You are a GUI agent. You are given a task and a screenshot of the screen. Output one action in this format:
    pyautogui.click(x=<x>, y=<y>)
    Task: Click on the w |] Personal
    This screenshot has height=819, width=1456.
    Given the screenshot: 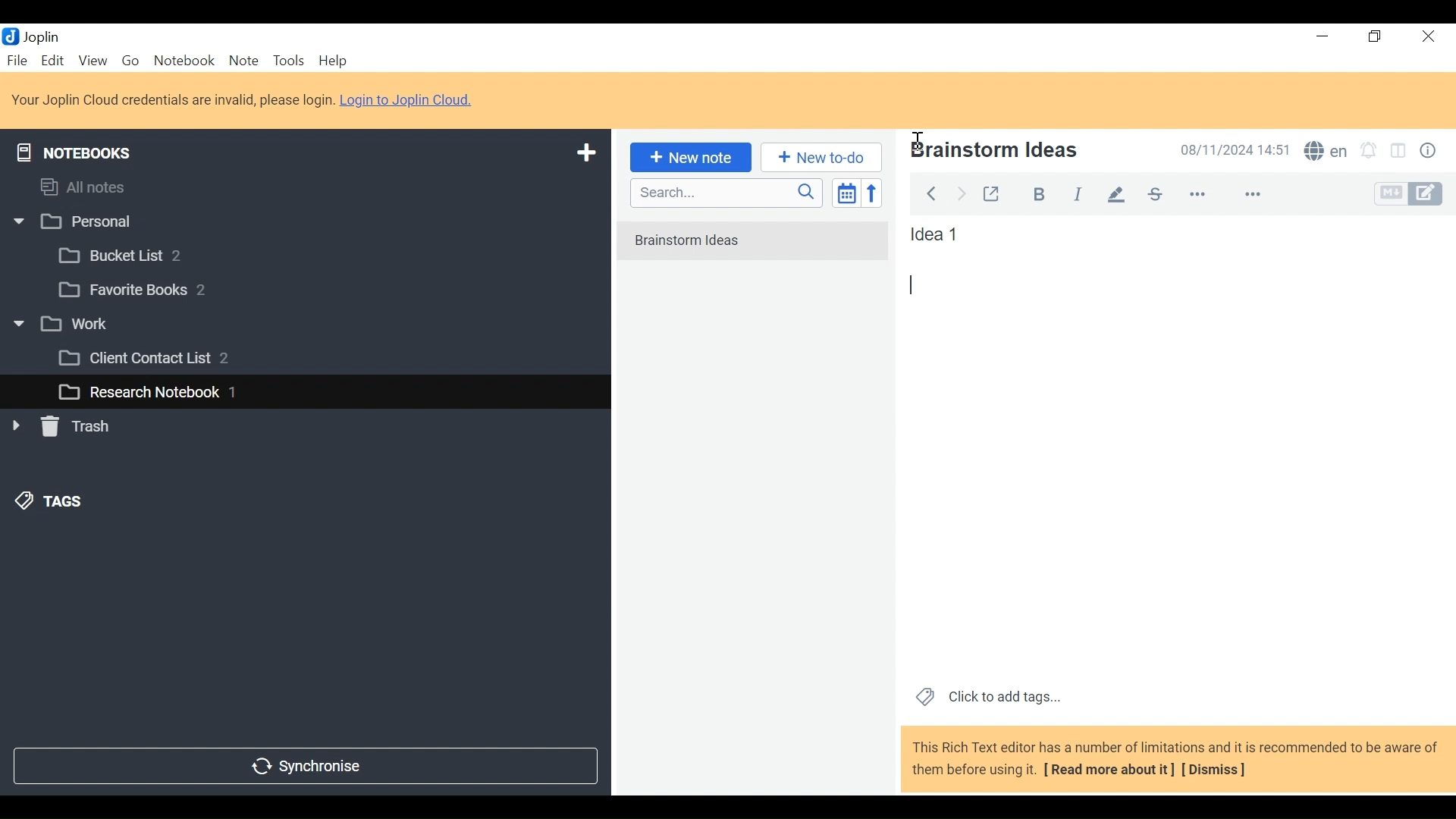 What is the action you would take?
    pyautogui.click(x=81, y=223)
    